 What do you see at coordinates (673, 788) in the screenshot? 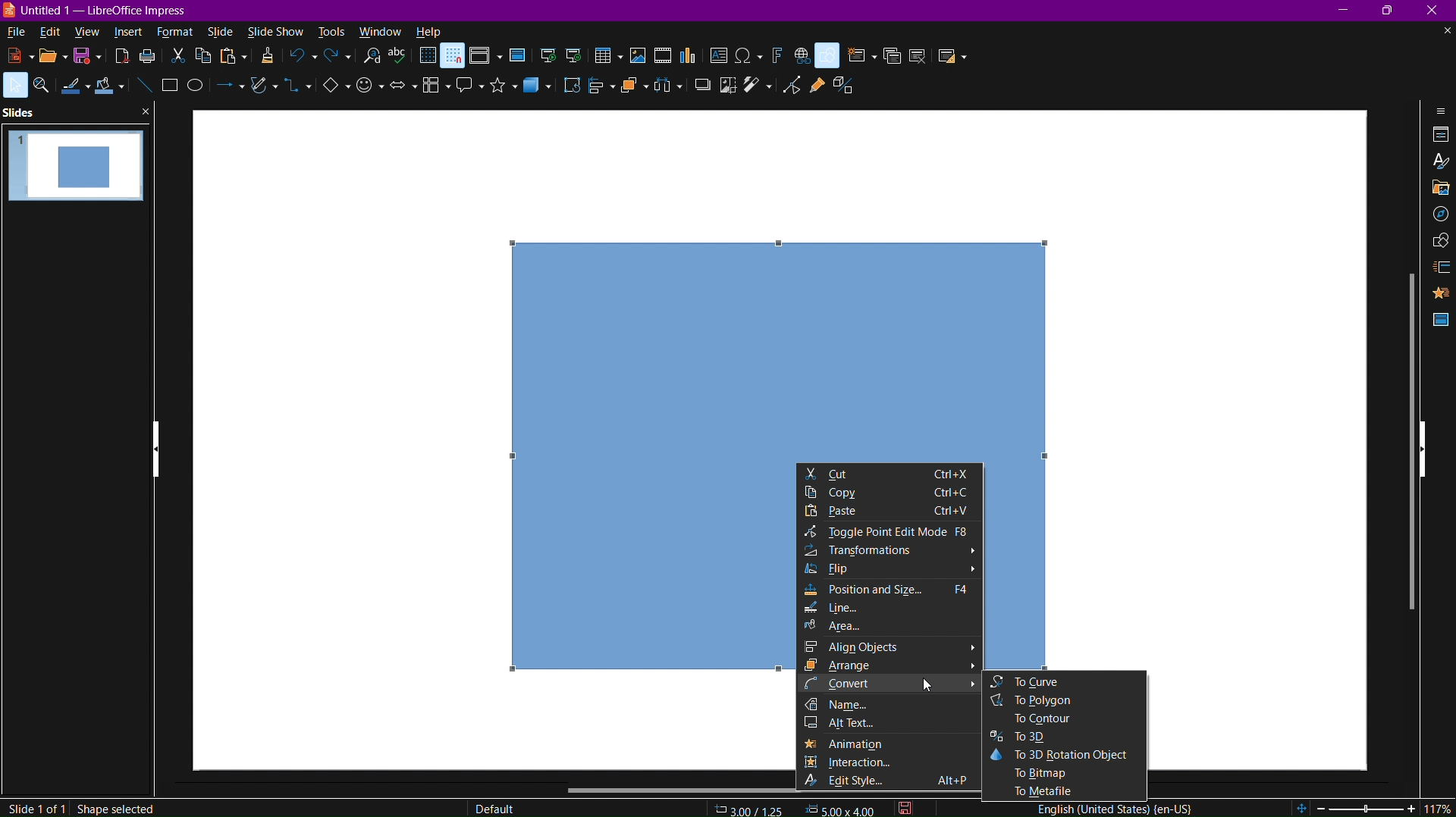
I see `Scrollbar` at bounding box center [673, 788].